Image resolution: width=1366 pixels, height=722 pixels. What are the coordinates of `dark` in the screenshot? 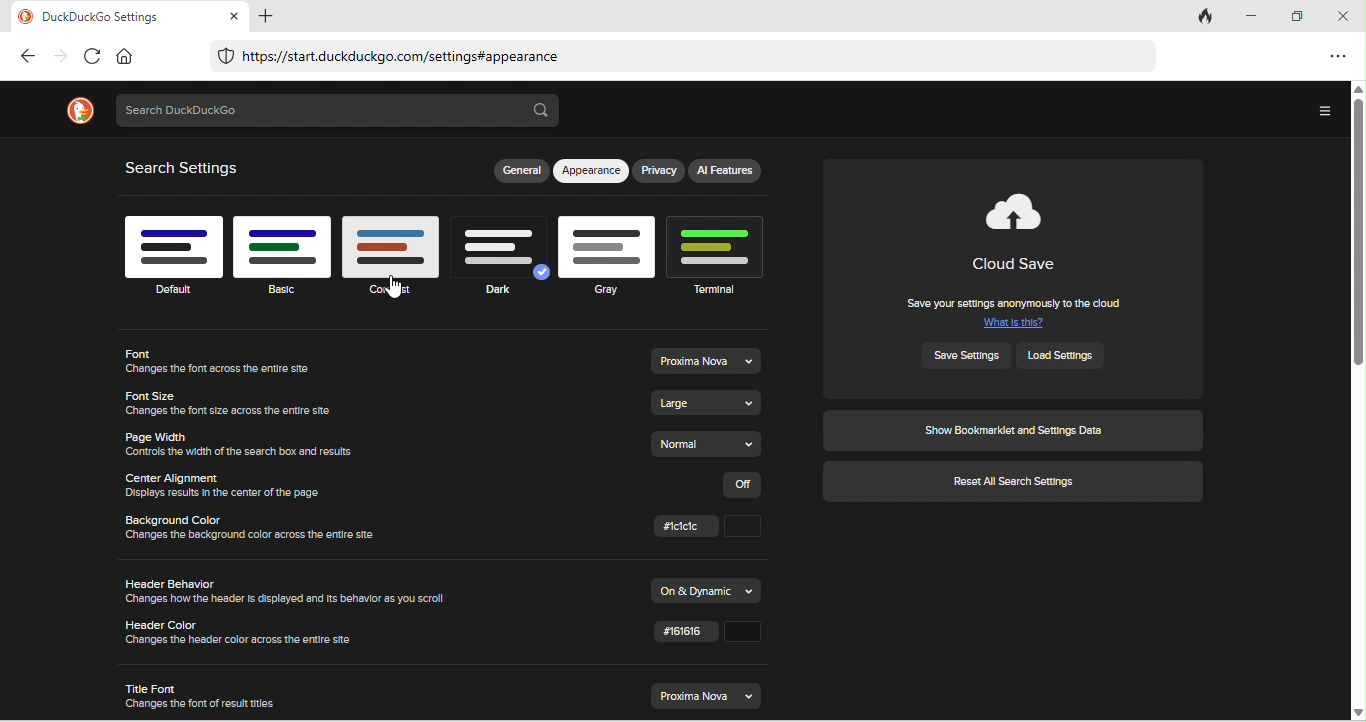 It's located at (501, 263).